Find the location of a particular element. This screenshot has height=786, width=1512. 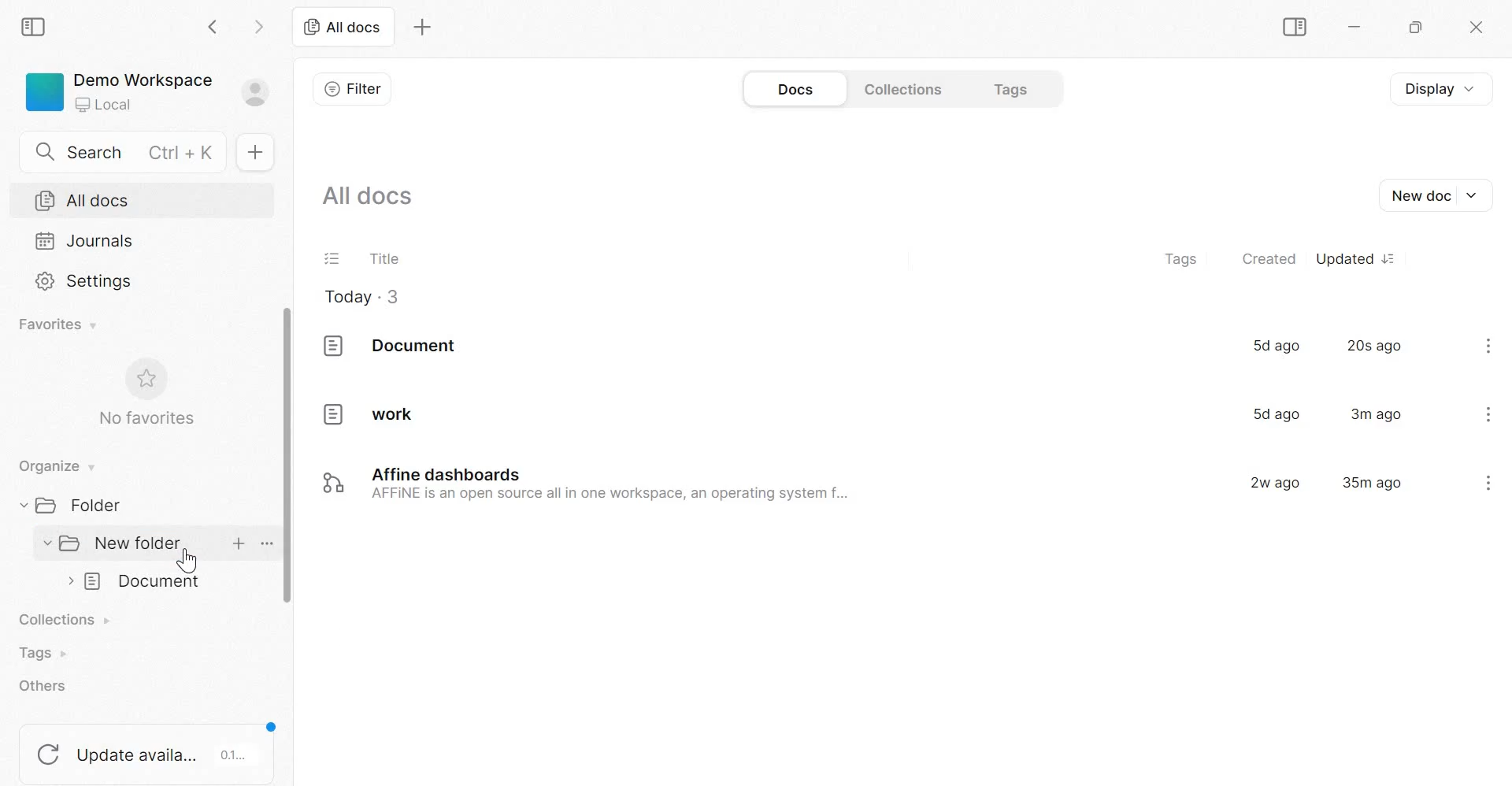

Minimize is located at coordinates (1354, 27).